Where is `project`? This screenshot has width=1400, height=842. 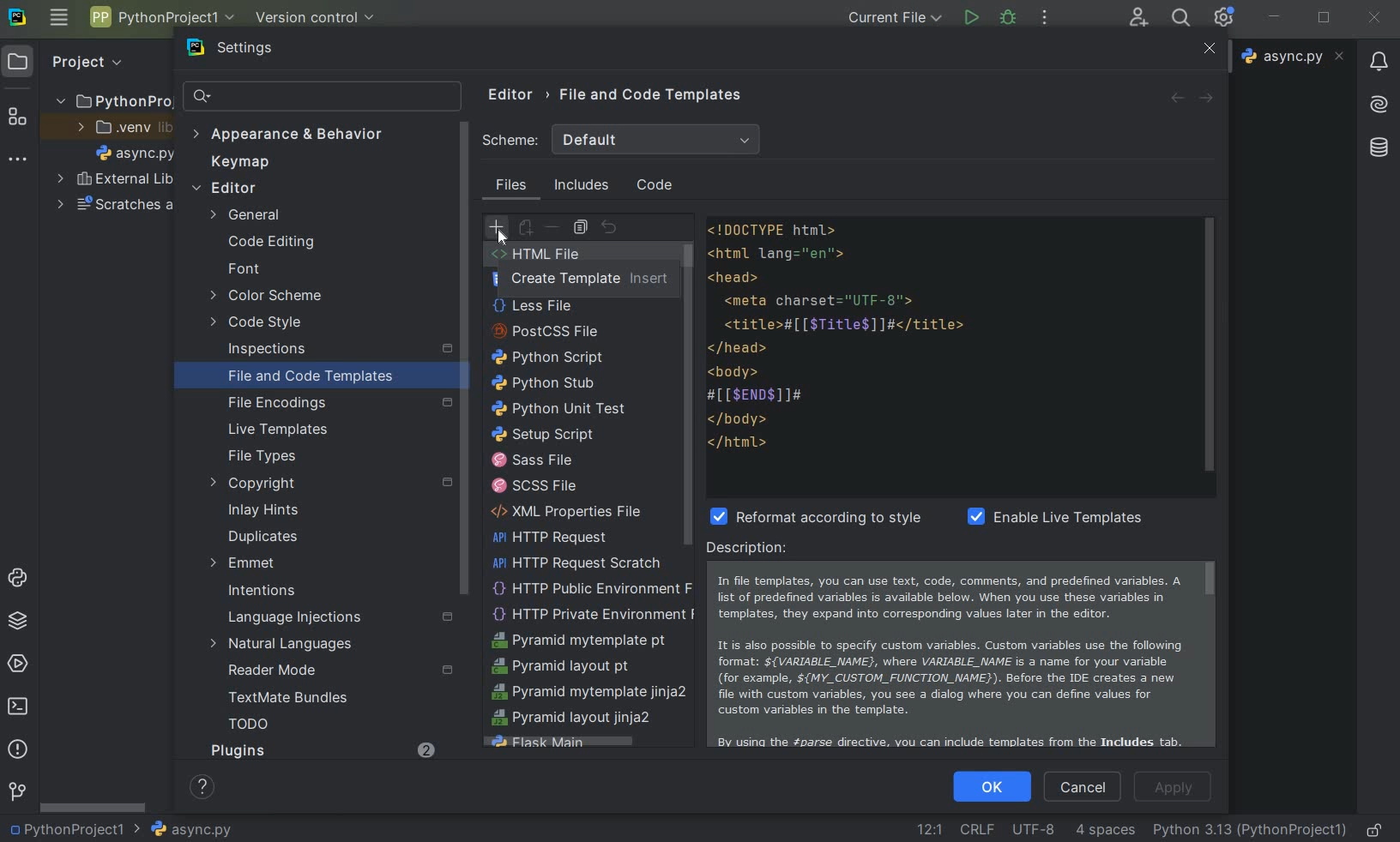
project is located at coordinates (68, 61).